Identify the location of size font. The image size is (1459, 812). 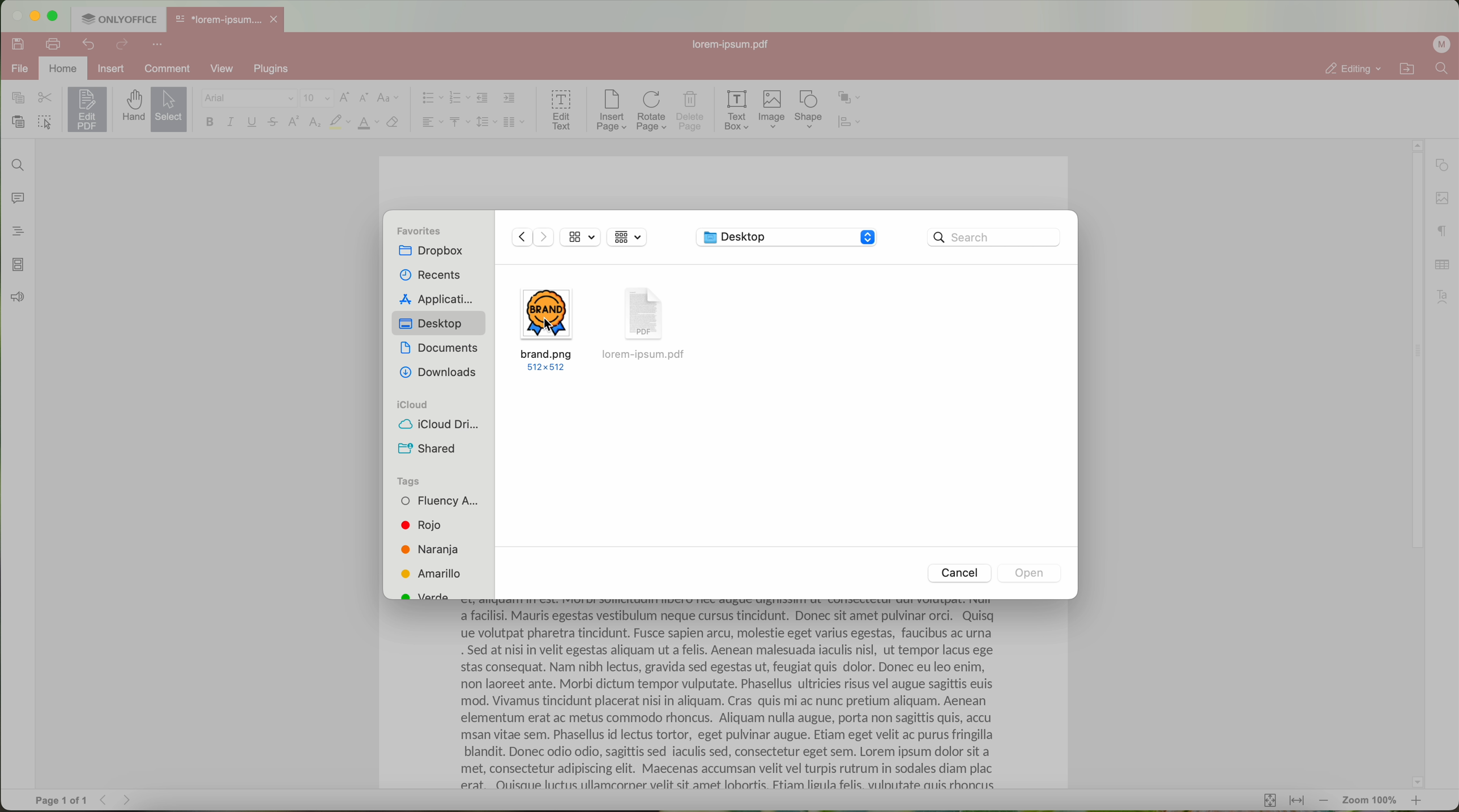
(317, 99).